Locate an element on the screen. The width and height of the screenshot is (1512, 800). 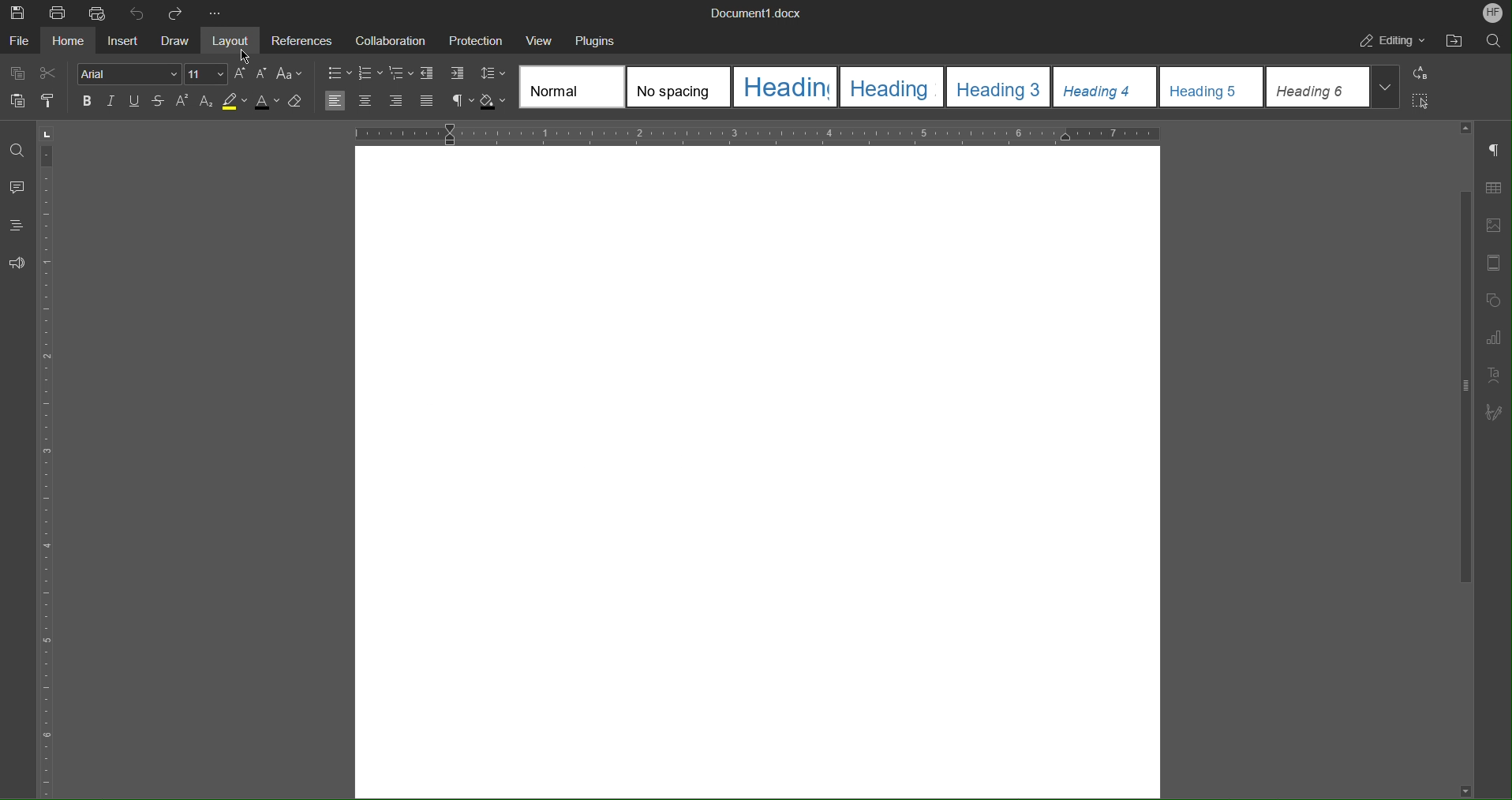
Remove Style is located at coordinates (298, 102).